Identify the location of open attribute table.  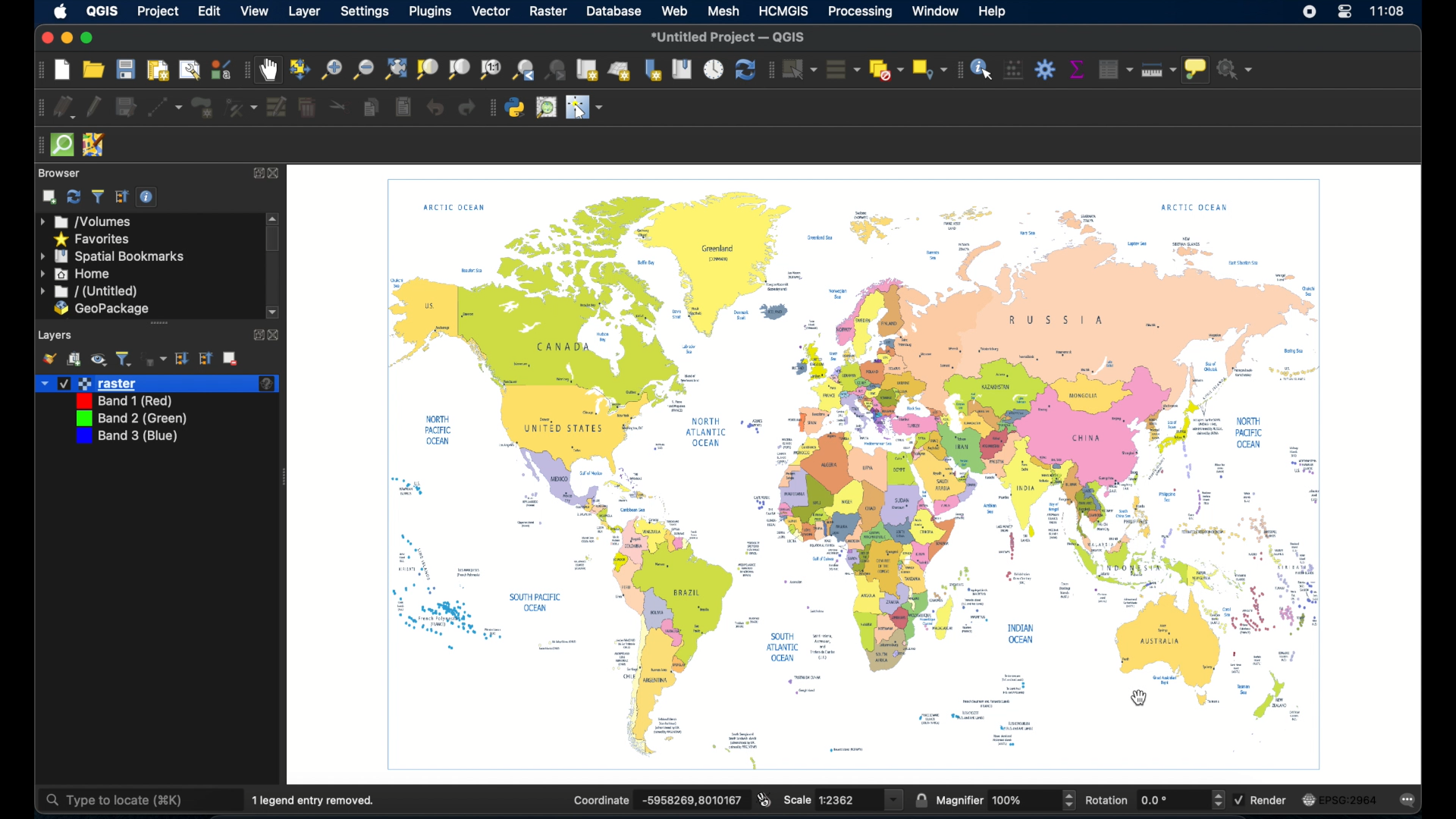
(1112, 67).